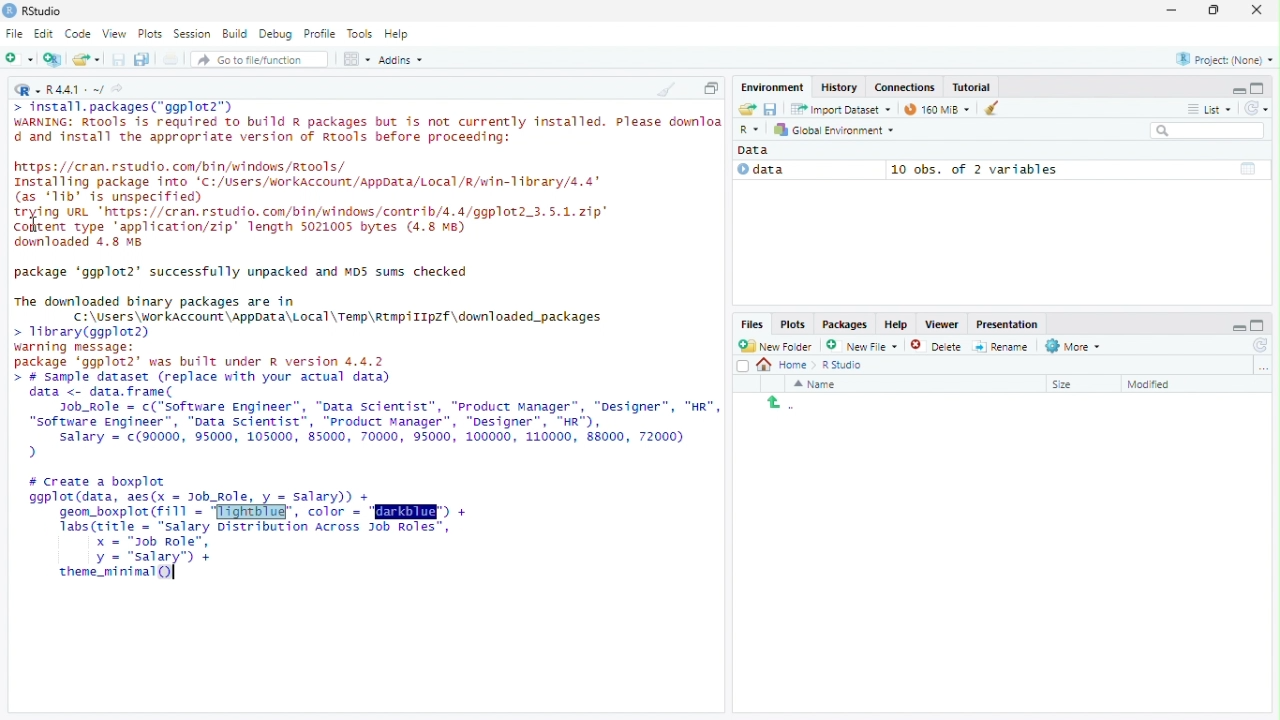  What do you see at coordinates (361, 34) in the screenshot?
I see `Tools` at bounding box center [361, 34].